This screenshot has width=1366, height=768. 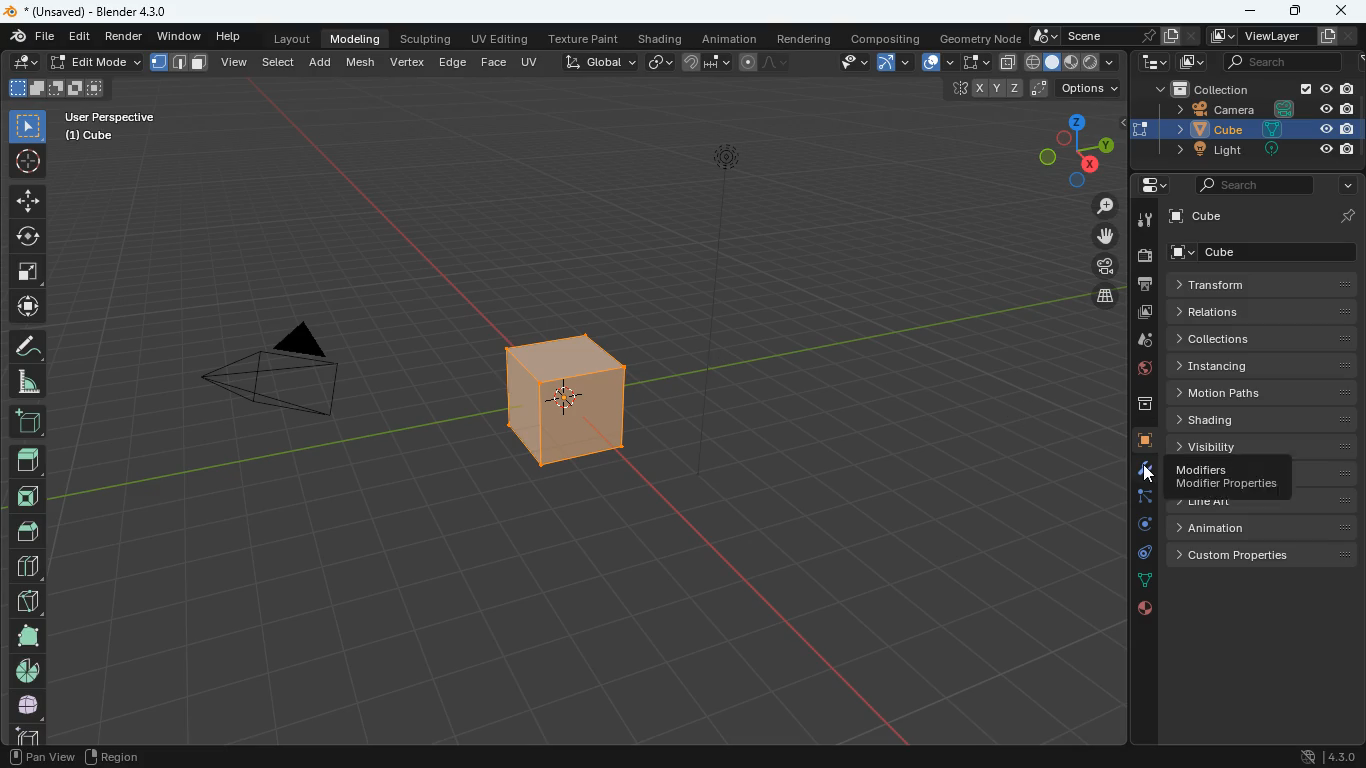 I want to click on region, so click(x=112, y=759).